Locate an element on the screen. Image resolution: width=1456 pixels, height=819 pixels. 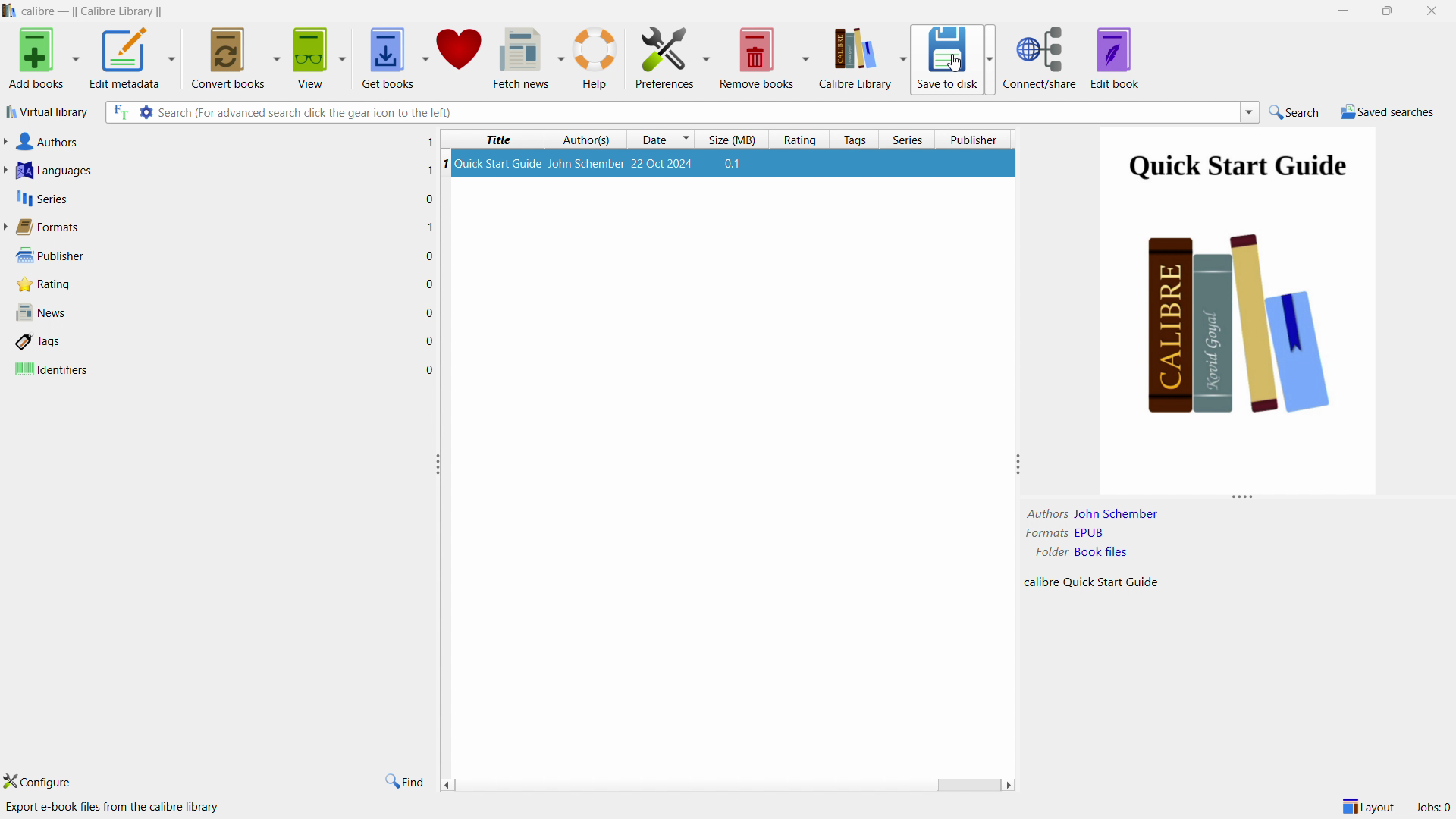
rating is located at coordinates (799, 138).